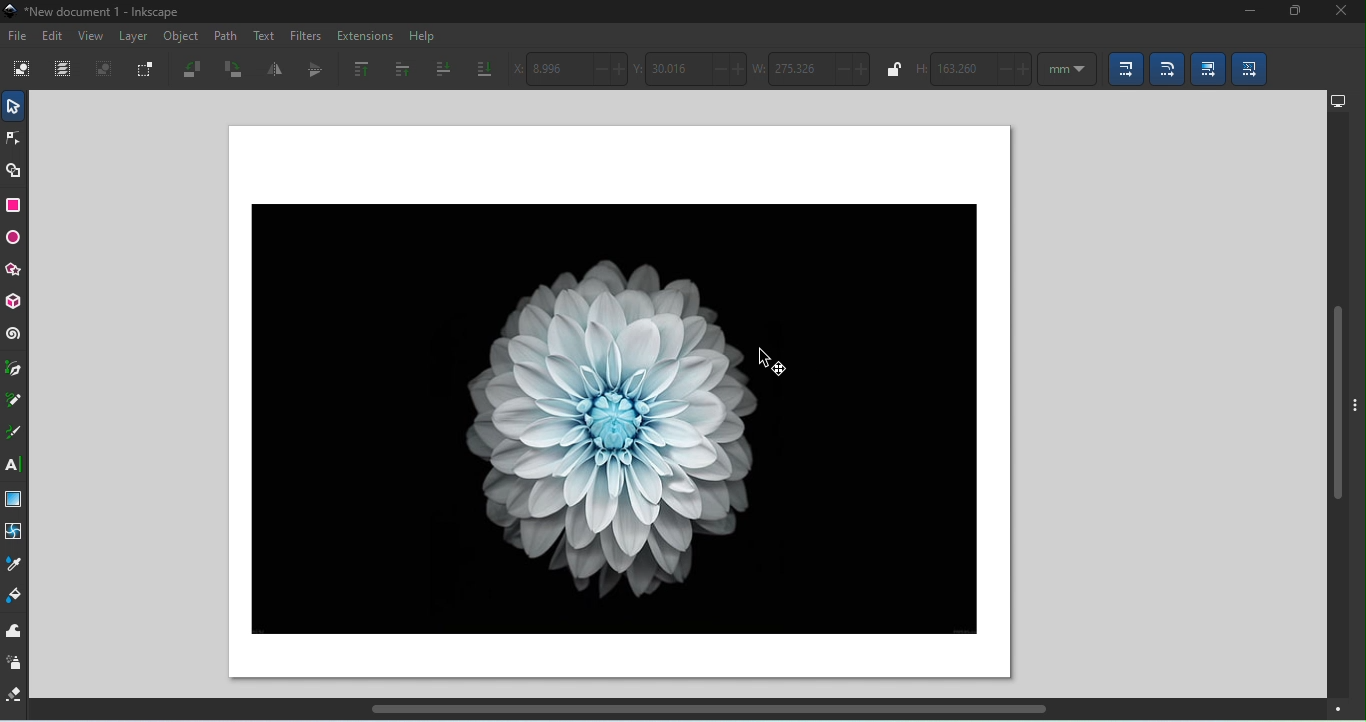  Describe the element at coordinates (13, 106) in the screenshot. I see `Selector tool` at that location.